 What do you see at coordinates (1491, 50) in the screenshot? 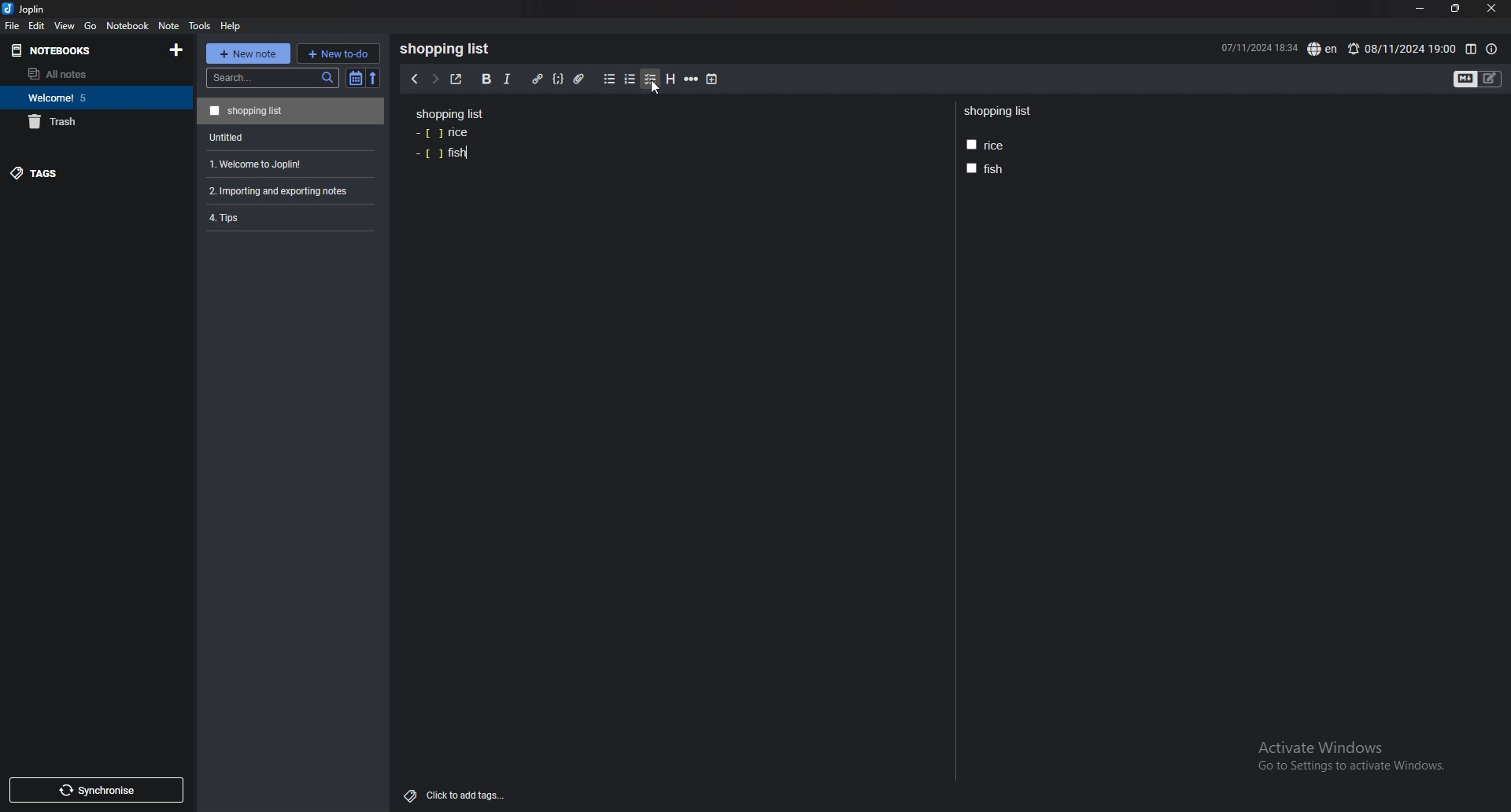
I see `note properties` at bounding box center [1491, 50].